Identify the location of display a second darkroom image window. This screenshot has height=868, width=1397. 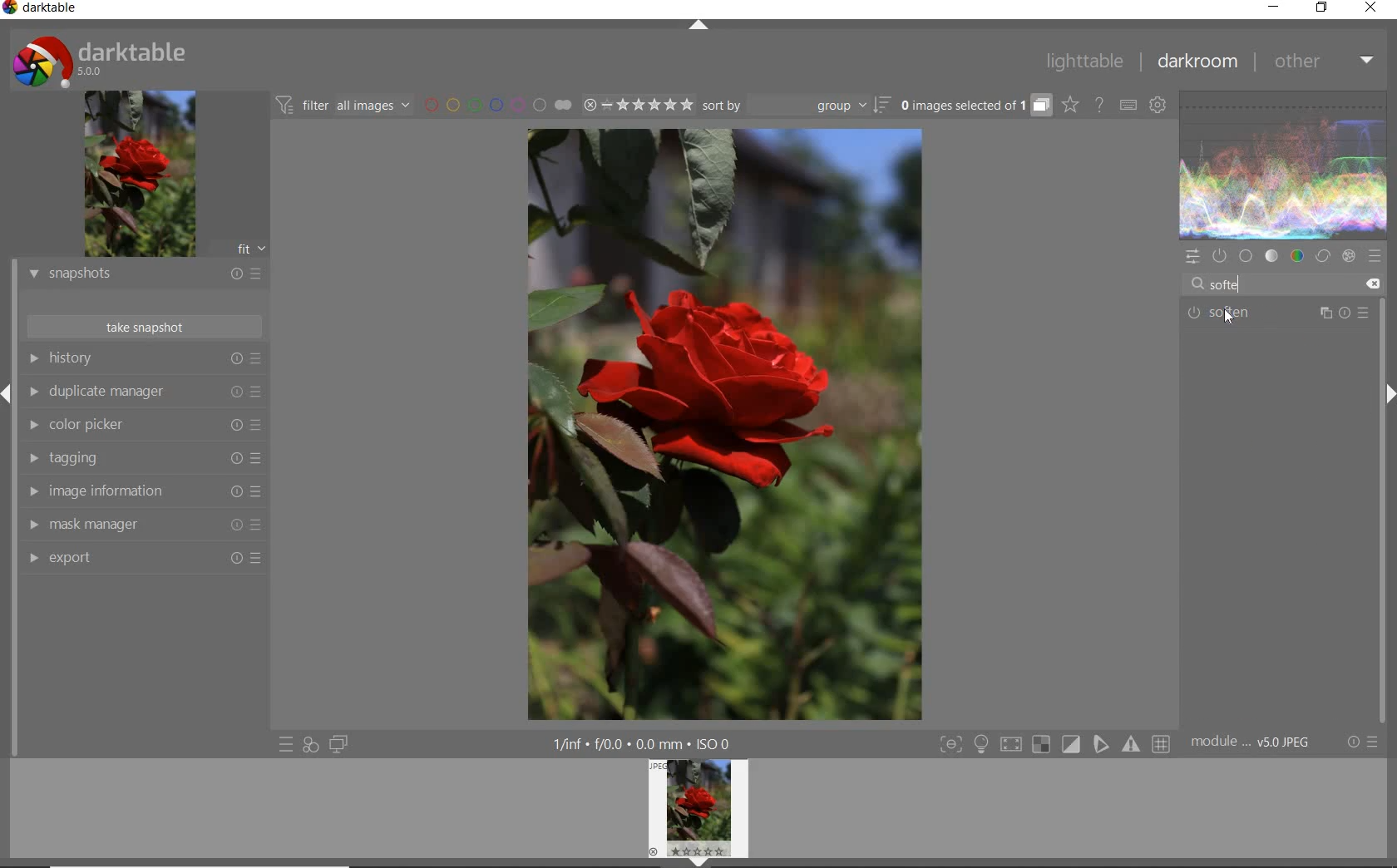
(338, 745).